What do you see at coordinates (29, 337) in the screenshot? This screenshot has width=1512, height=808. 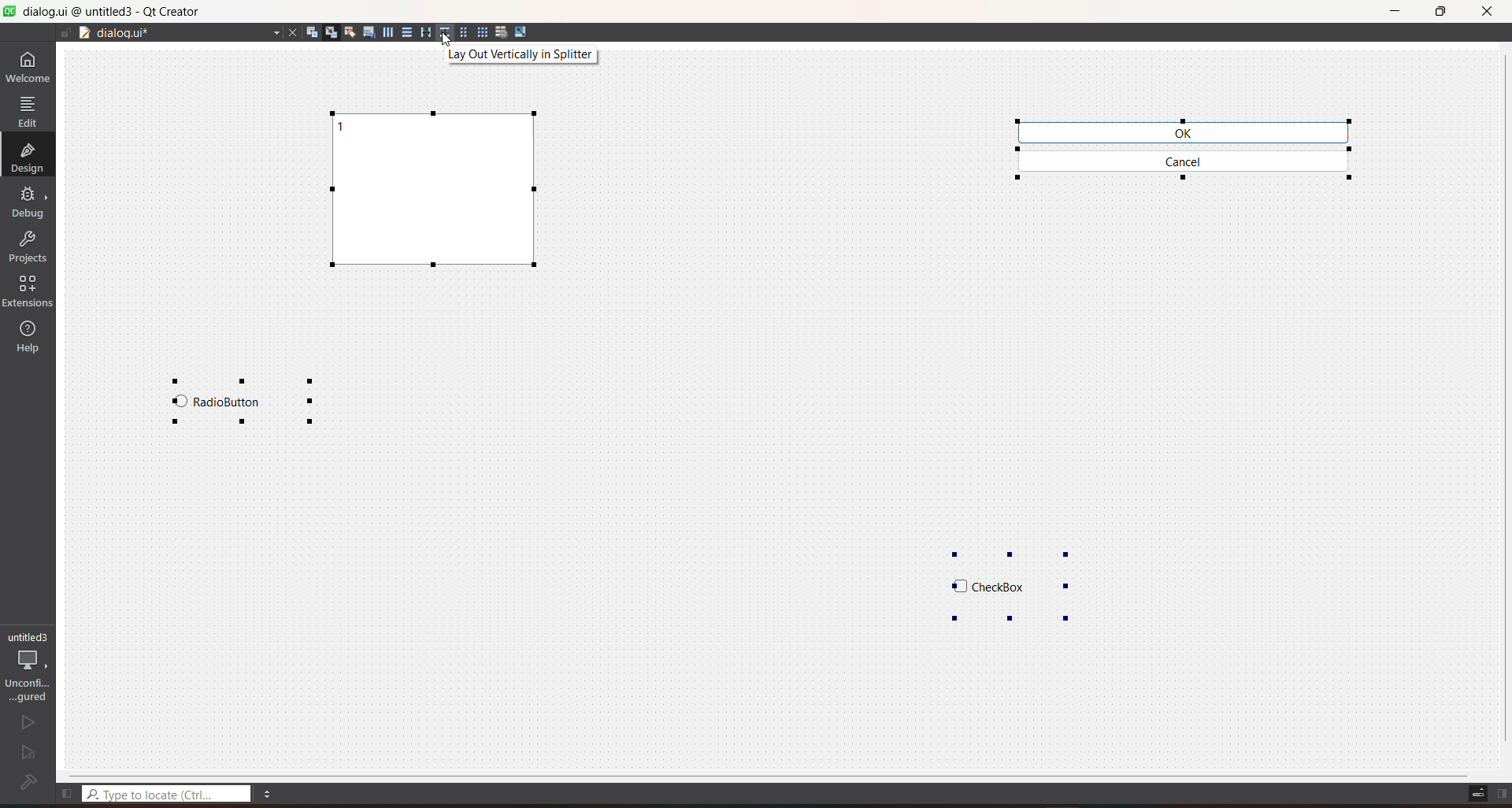 I see `help` at bounding box center [29, 337].